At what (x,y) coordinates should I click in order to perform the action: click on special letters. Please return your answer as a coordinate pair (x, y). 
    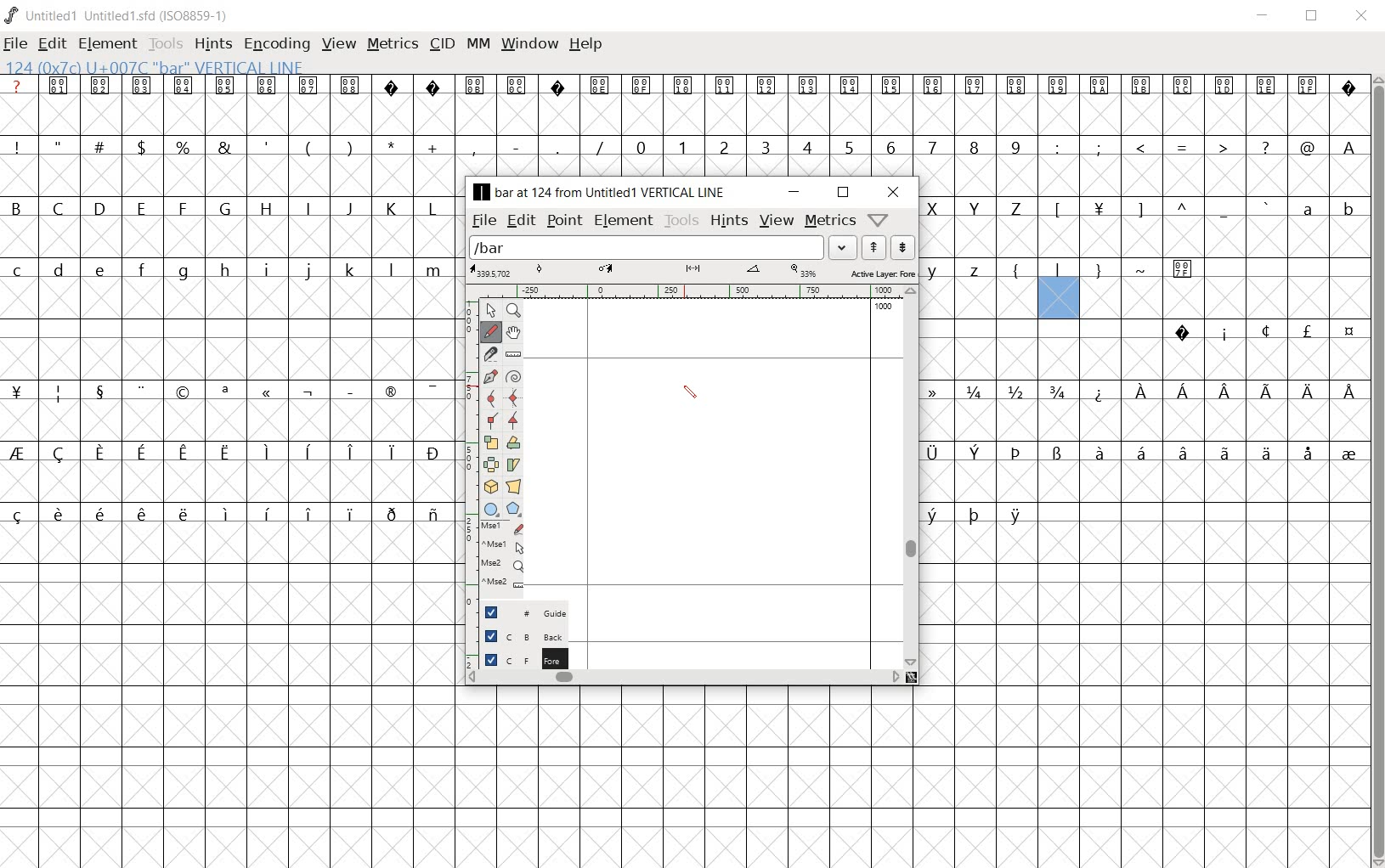
    Looking at the image, I should click on (232, 514).